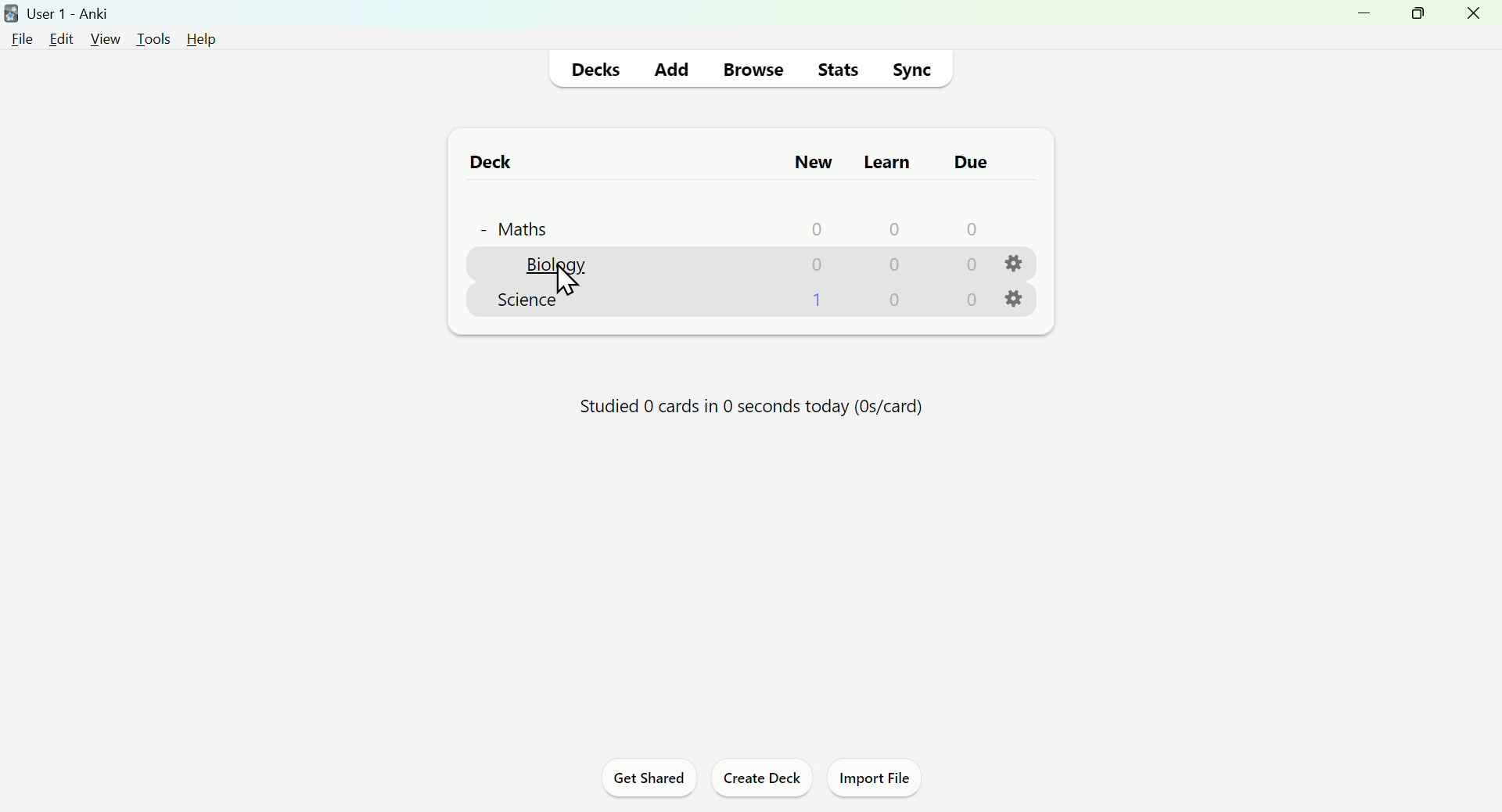 The height and width of the screenshot is (812, 1502). What do you see at coordinates (967, 229) in the screenshot?
I see `0` at bounding box center [967, 229].